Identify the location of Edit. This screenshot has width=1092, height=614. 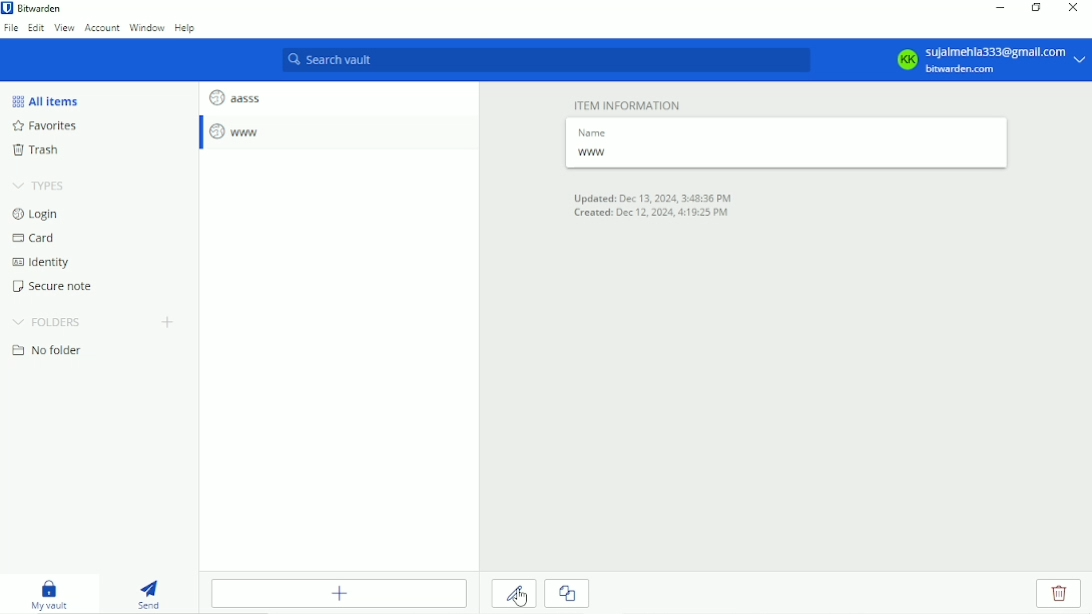
(37, 29).